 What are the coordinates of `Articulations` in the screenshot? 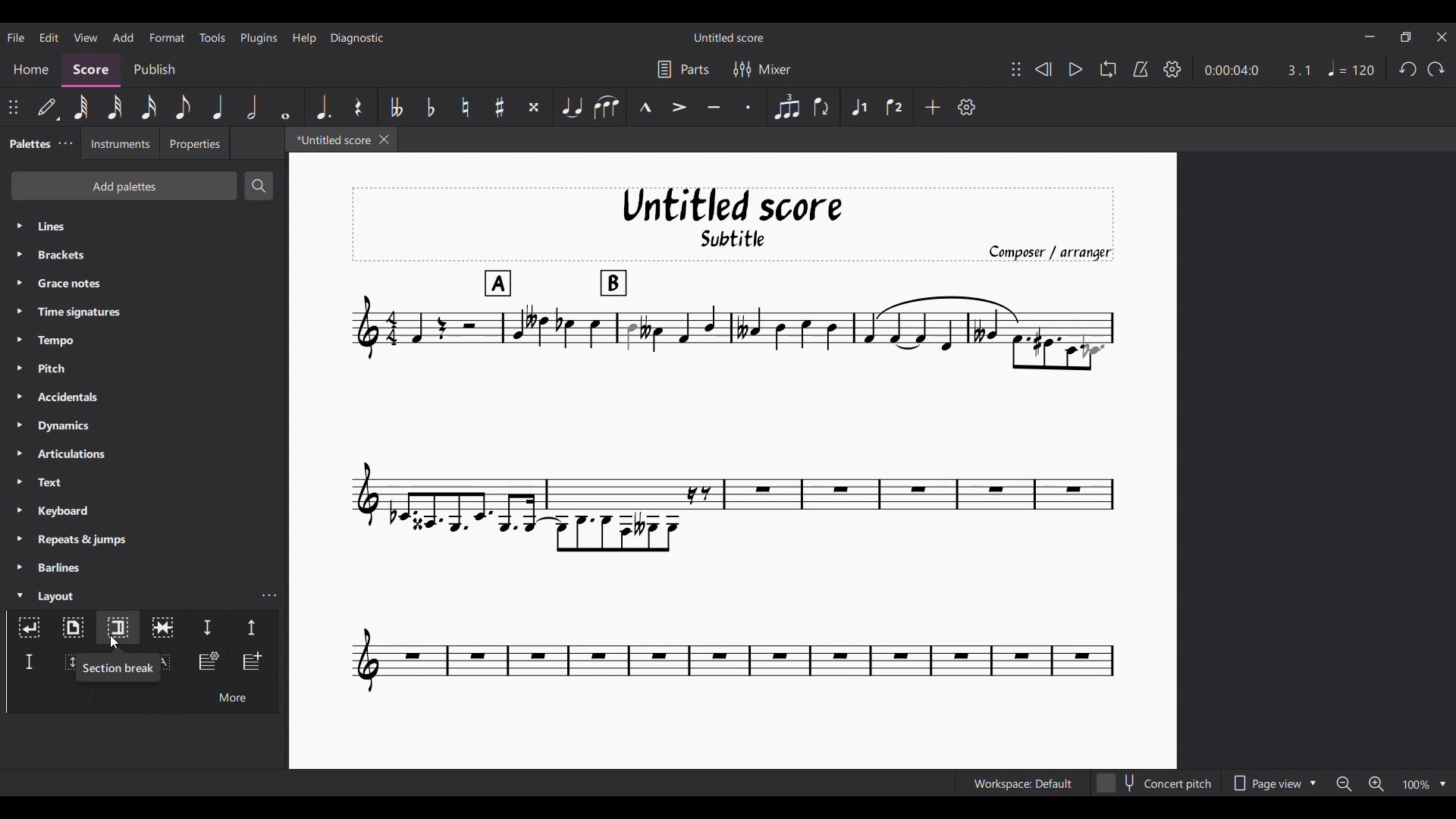 It's located at (145, 453).